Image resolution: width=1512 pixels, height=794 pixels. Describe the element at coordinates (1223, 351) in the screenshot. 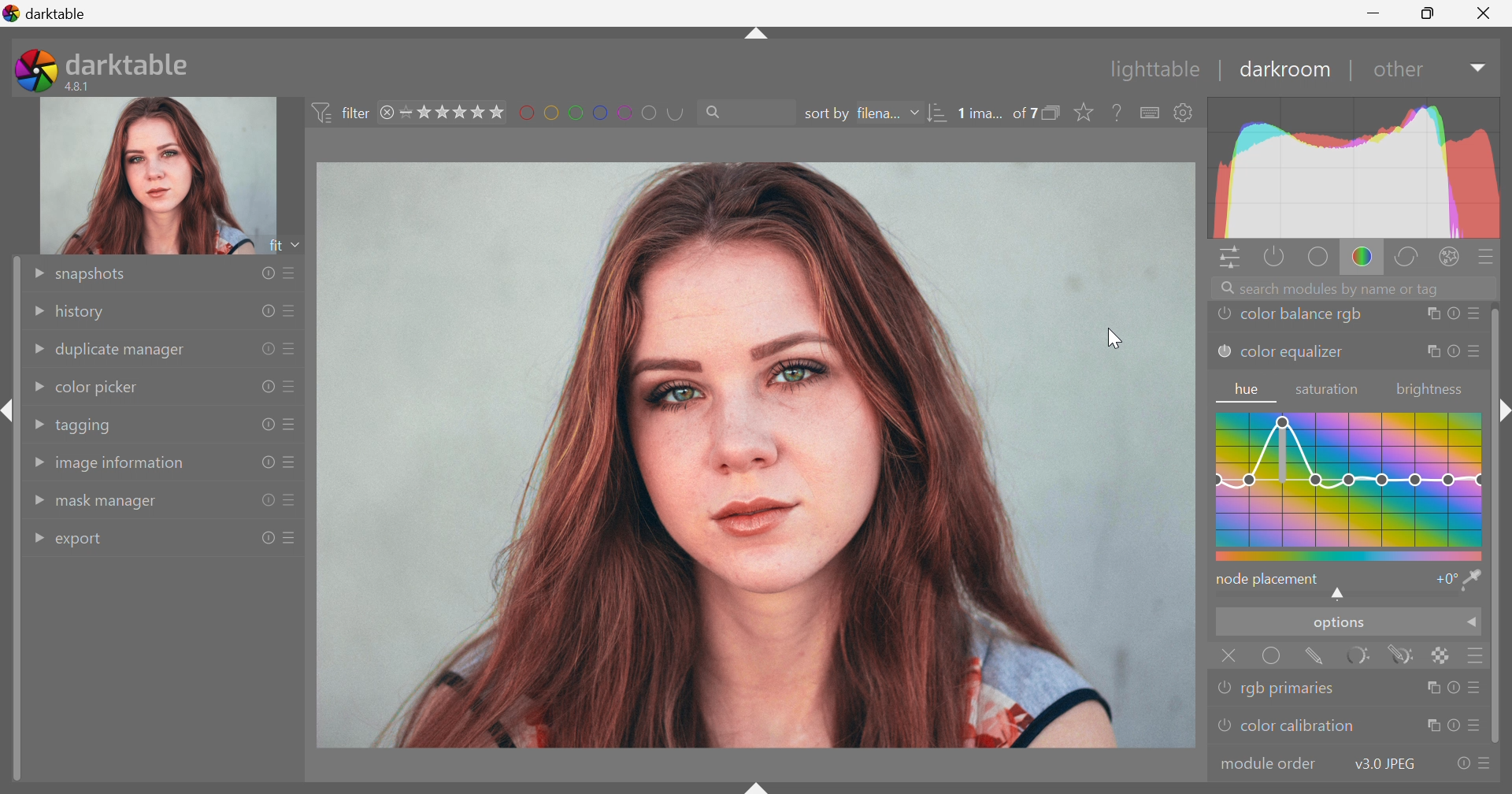

I see `'color equalizer' is switched off` at that location.